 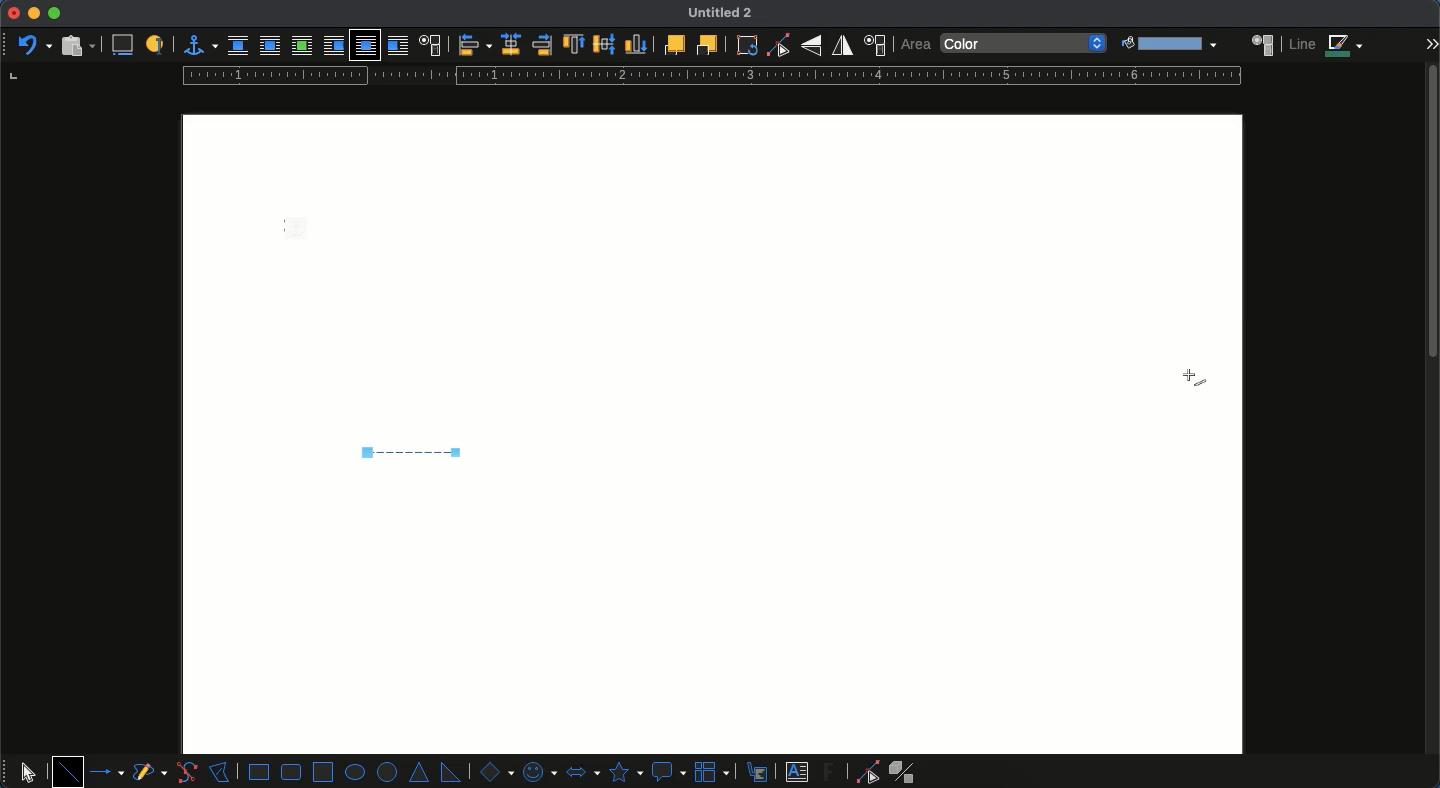 What do you see at coordinates (186, 772) in the screenshot?
I see `curve` at bounding box center [186, 772].